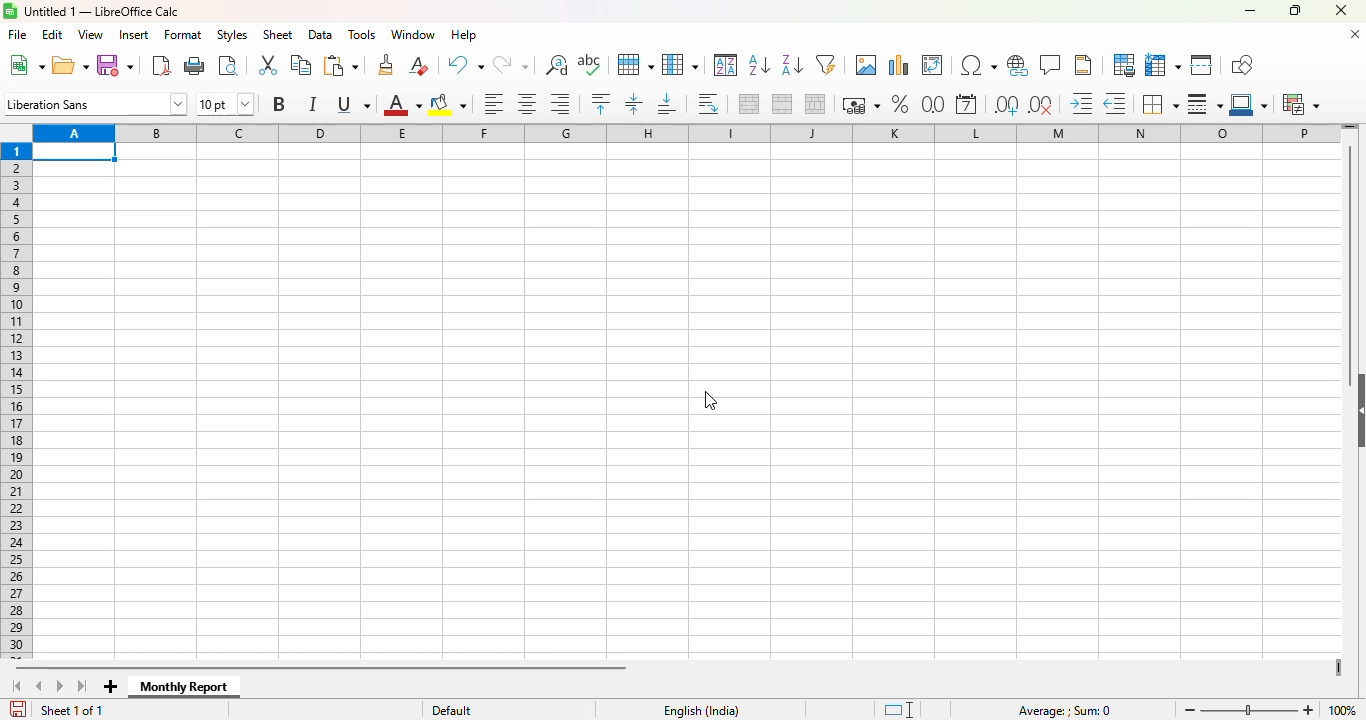 This screenshot has height=720, width=1366. What do you see at coordinates (26, 65) in the screenshot?
I see `new` at bounding box center [26, 65].